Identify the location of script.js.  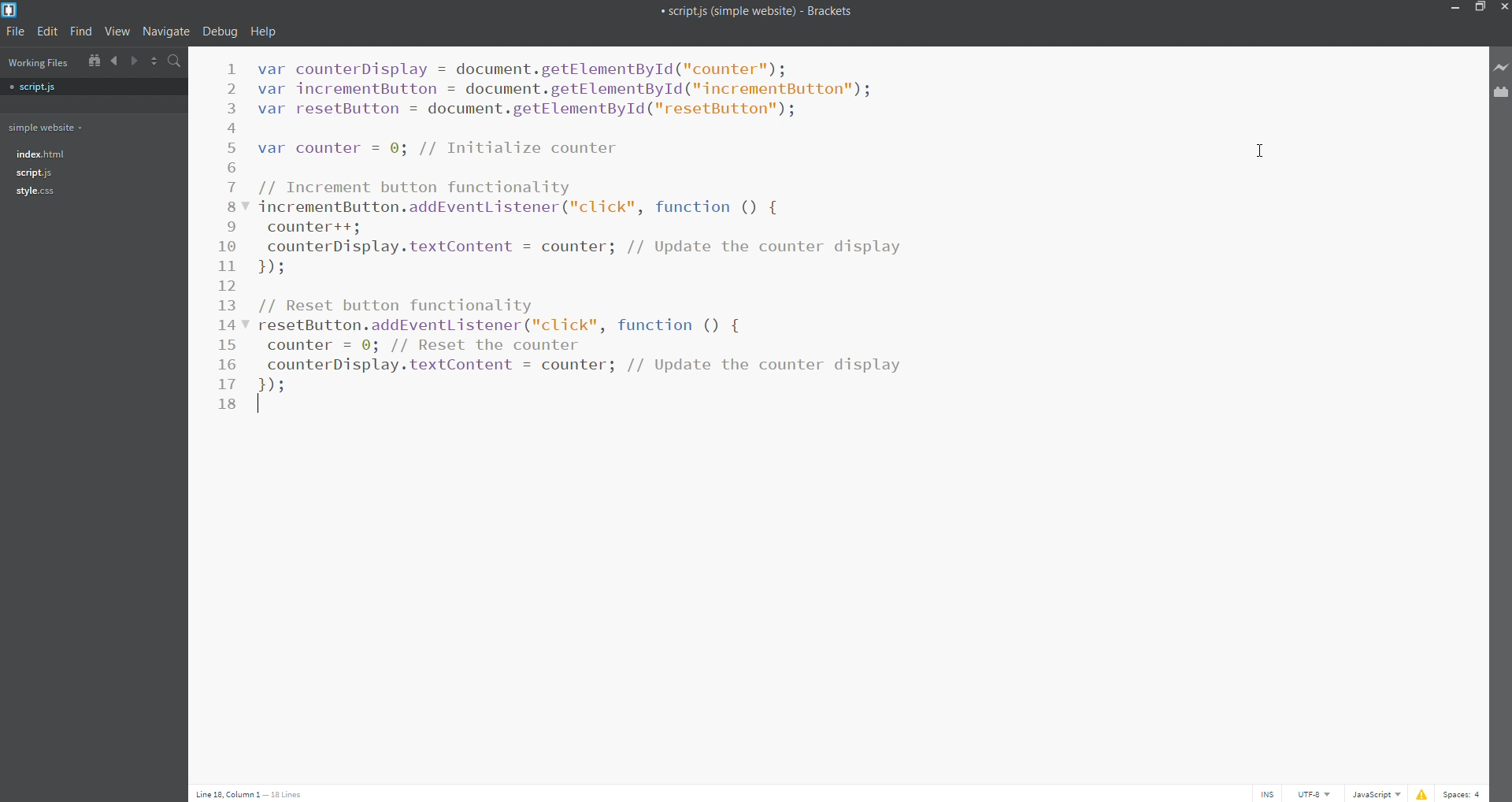
(37, 86).